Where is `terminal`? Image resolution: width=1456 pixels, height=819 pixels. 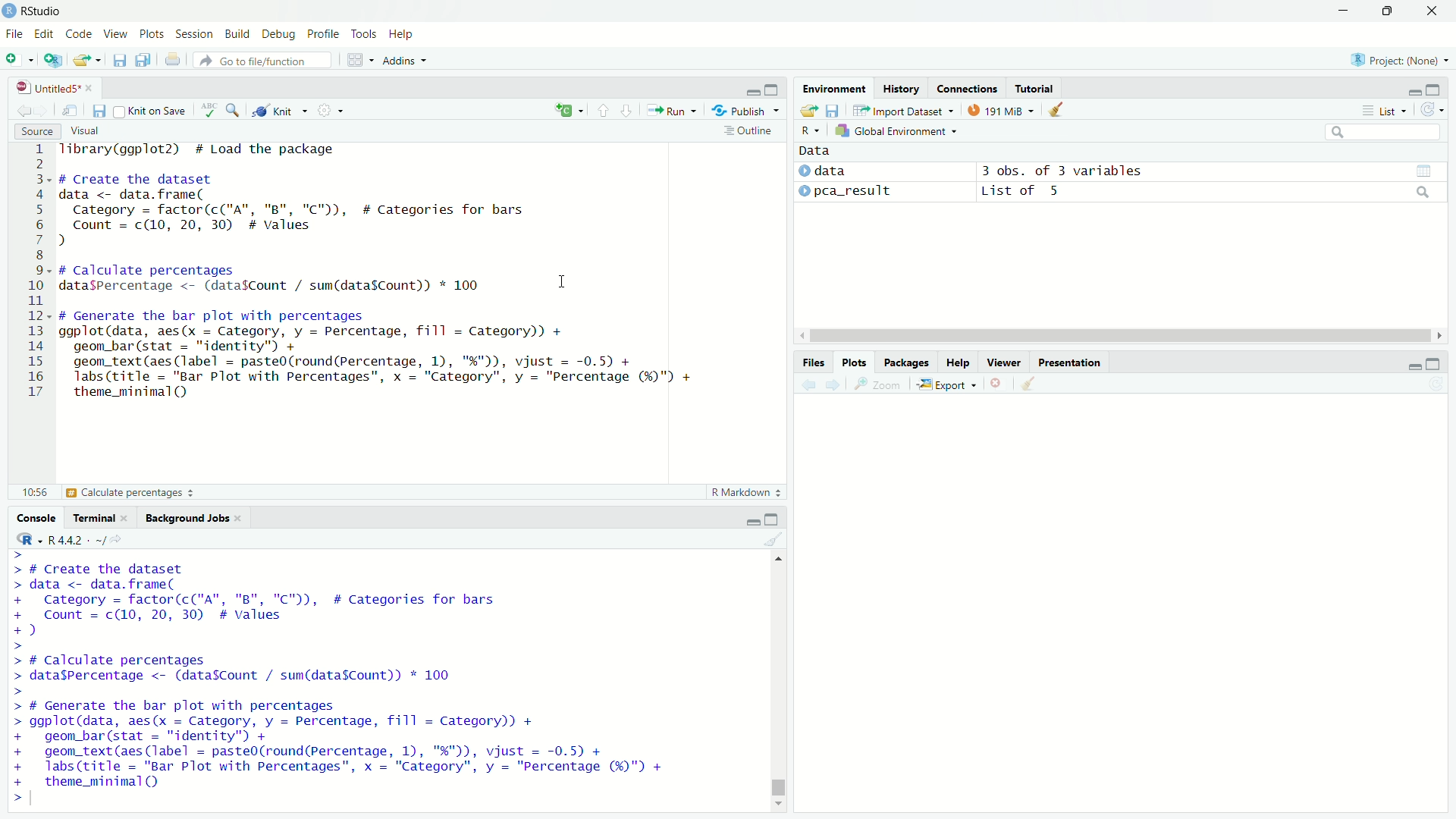 terminal is located at coordinates (100, 517).